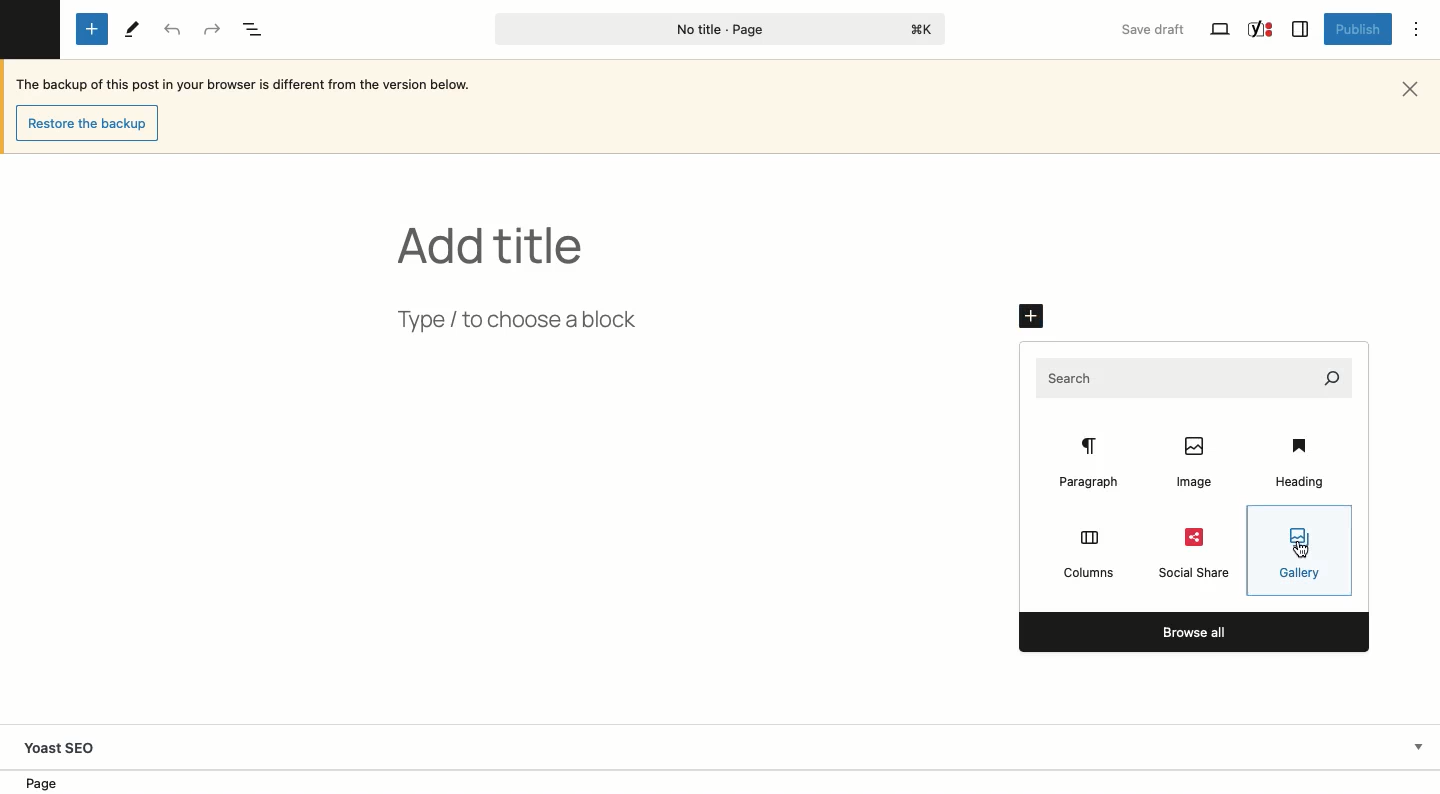 The image size is (1440, 794). I want to click on Heading, so click(1302, 465).